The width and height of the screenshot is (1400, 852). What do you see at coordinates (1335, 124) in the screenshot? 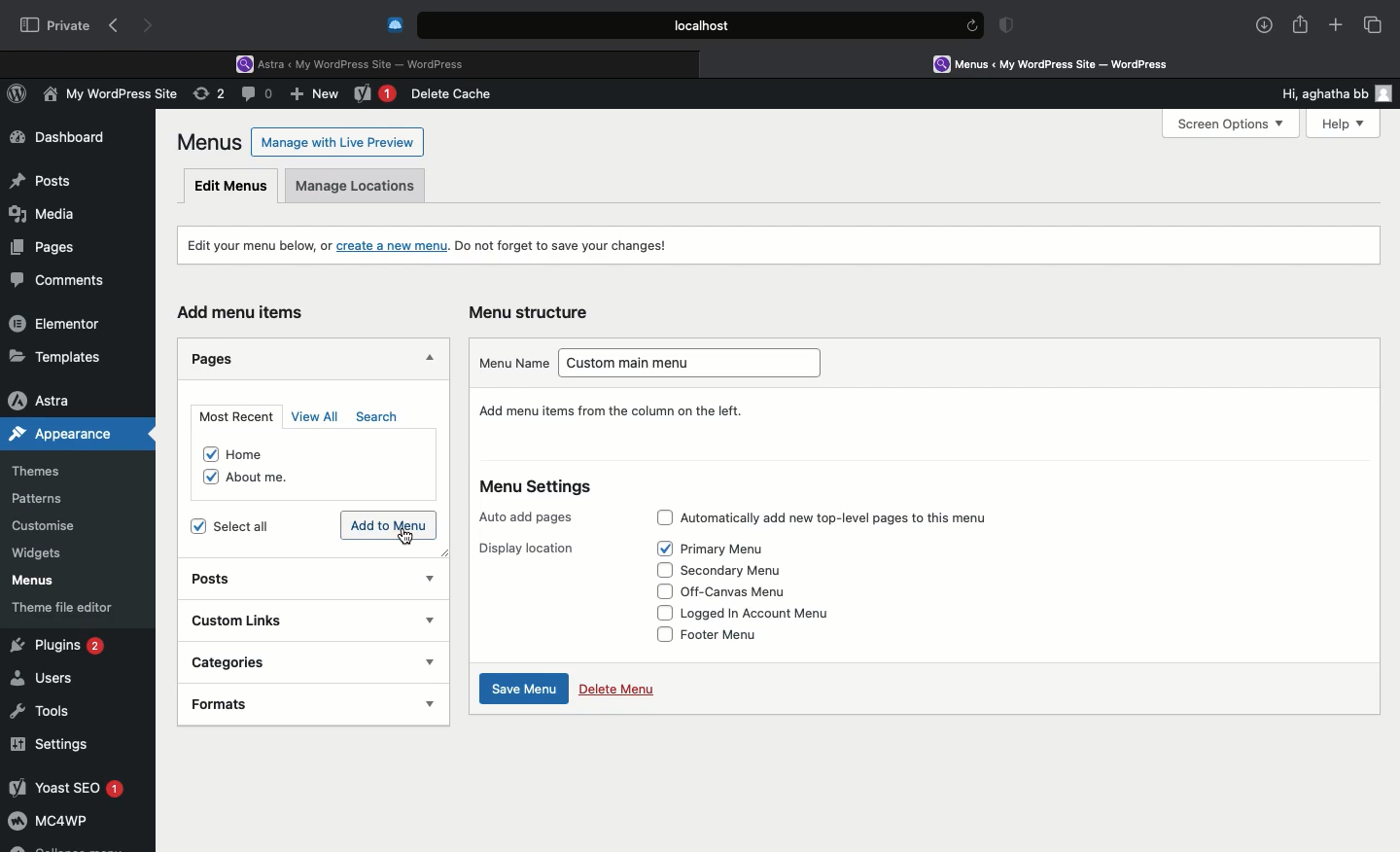
I see `Help` at bounding box center [1335, 124].